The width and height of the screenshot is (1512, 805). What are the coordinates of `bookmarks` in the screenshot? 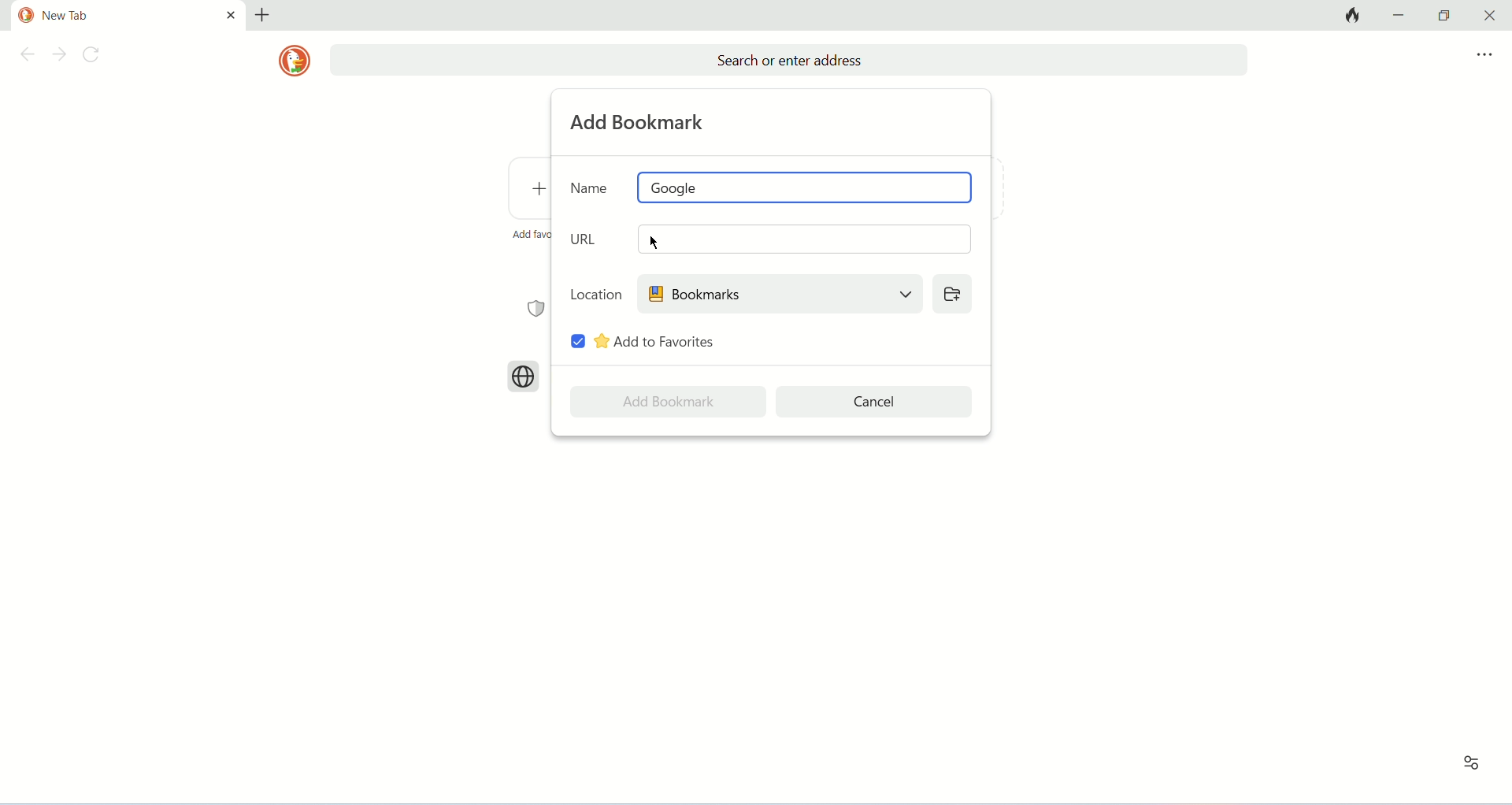 It's located at (779, 293).